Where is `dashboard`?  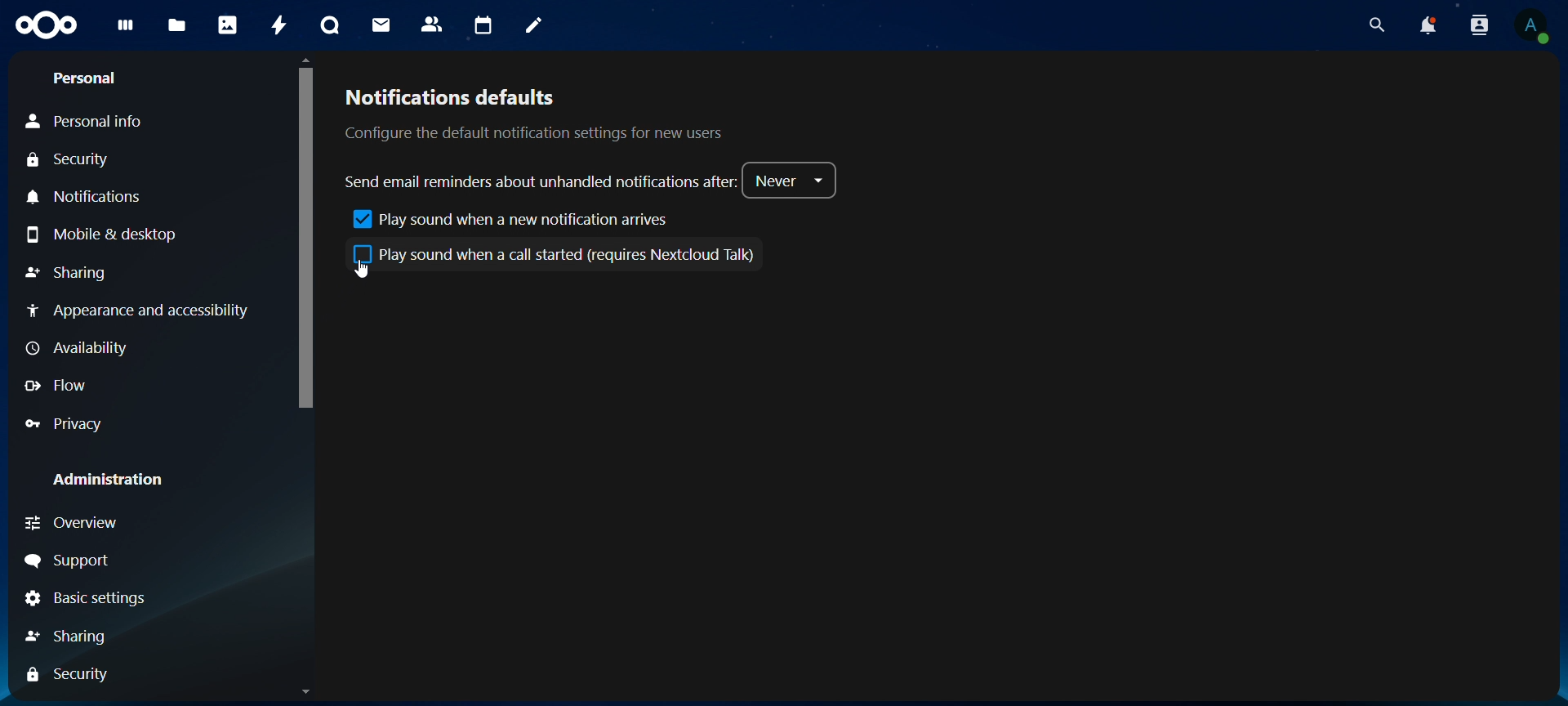 dashboard is located at coordinates (127, 29).